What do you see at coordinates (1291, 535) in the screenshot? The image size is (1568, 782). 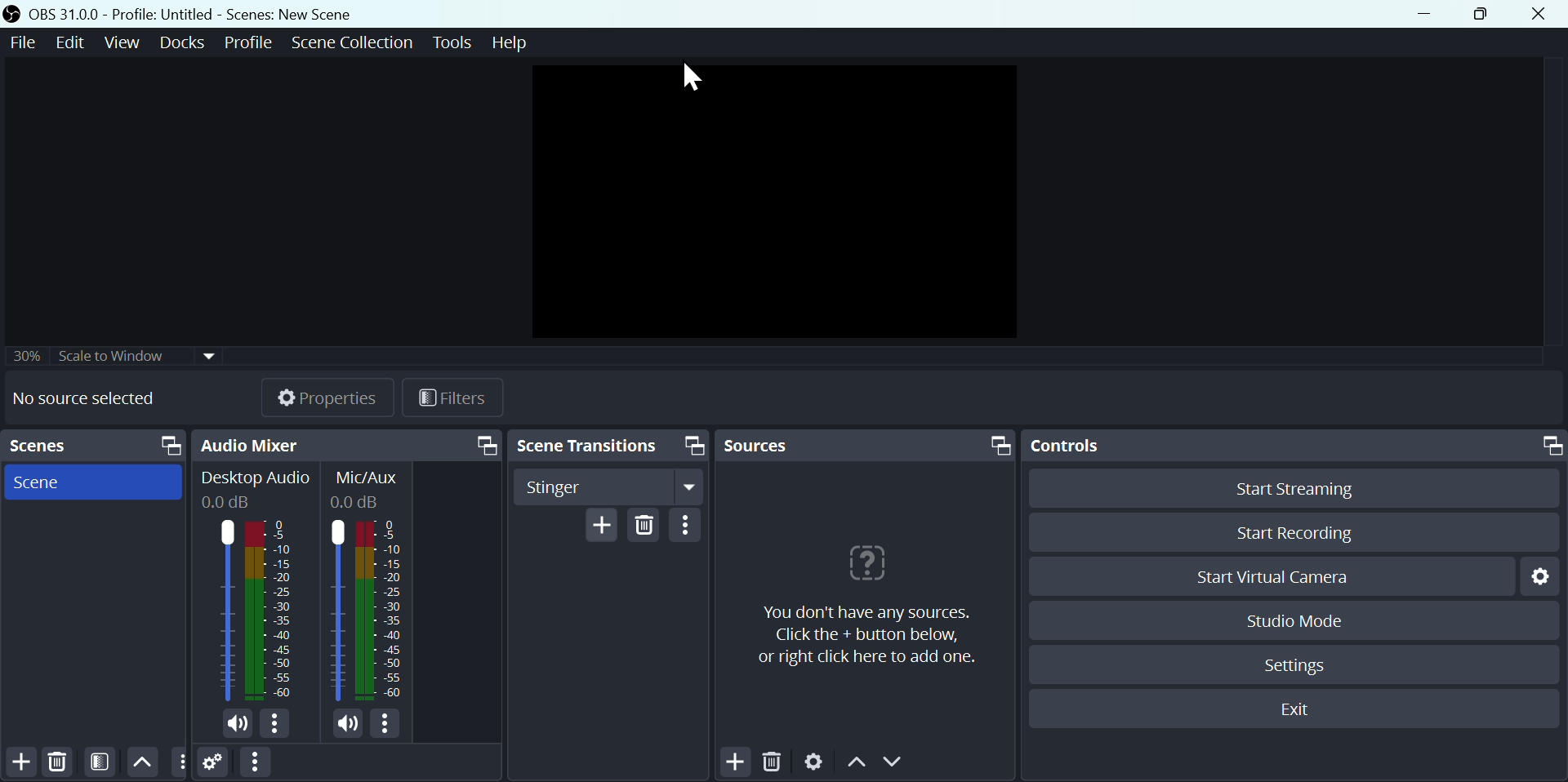 I see `Start recording` at bounding box center [1291, 535].